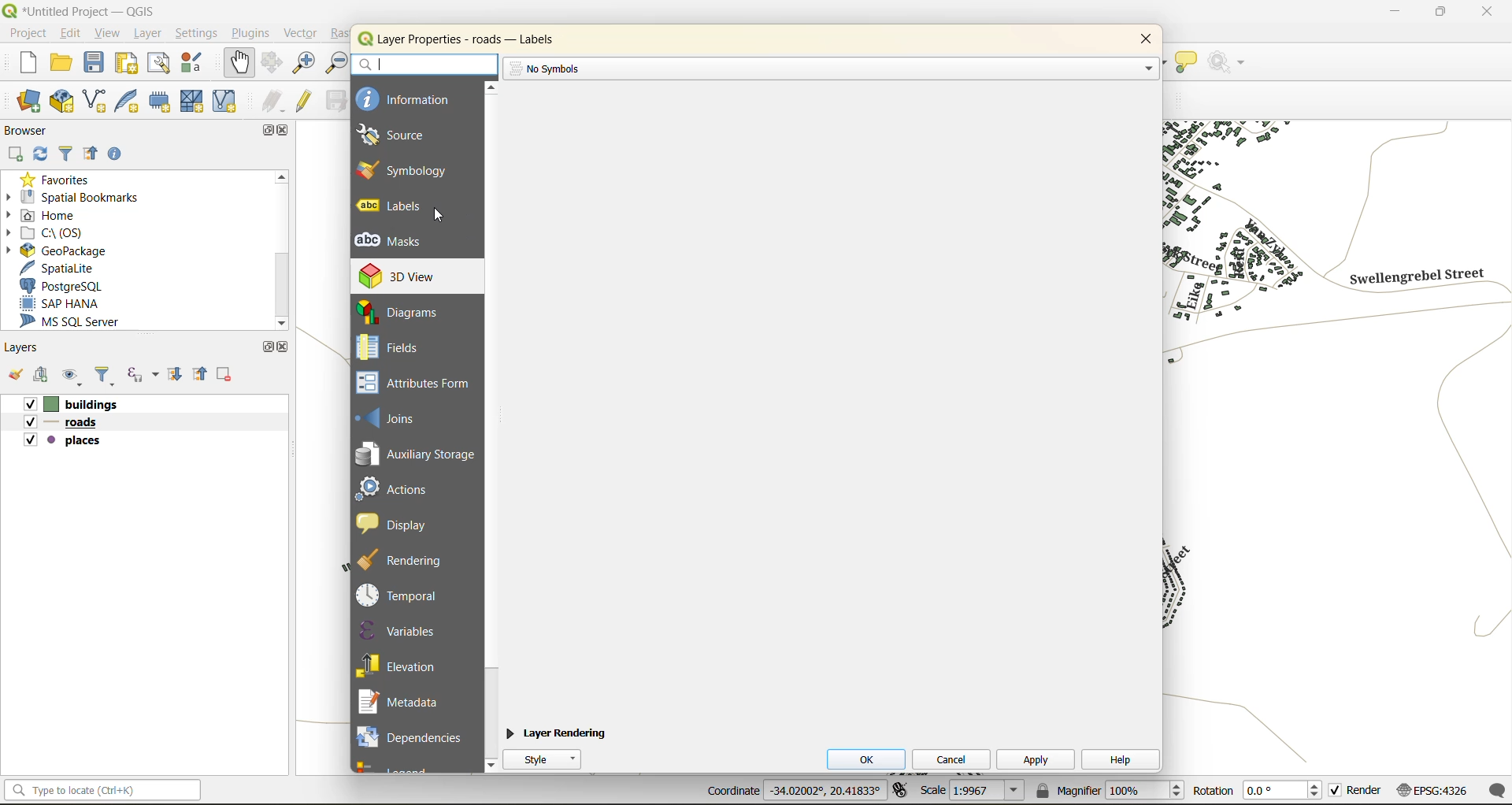 This screenshot has height=805, width=1512. I want to click on collapse all, so click(91, 153).